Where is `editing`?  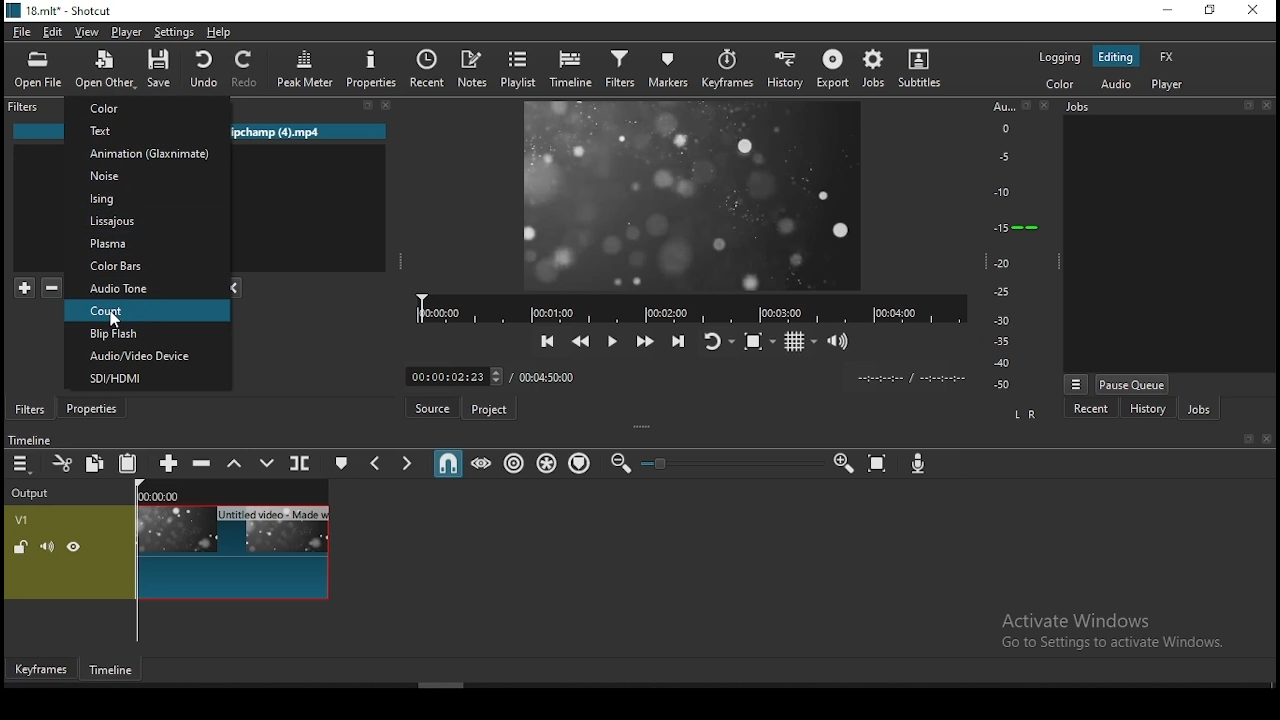 editing is located at coordinates (1116, 56).